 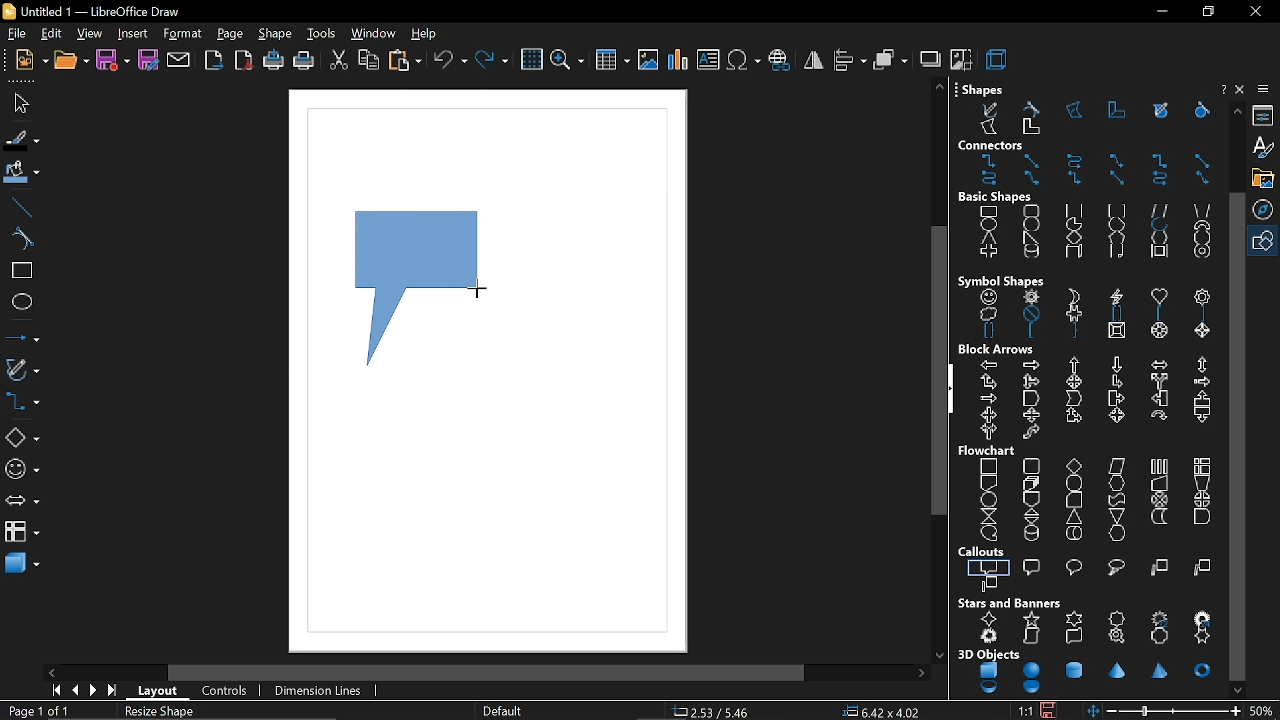 I want to click on co-ordinate, so click(x=718, y=712).